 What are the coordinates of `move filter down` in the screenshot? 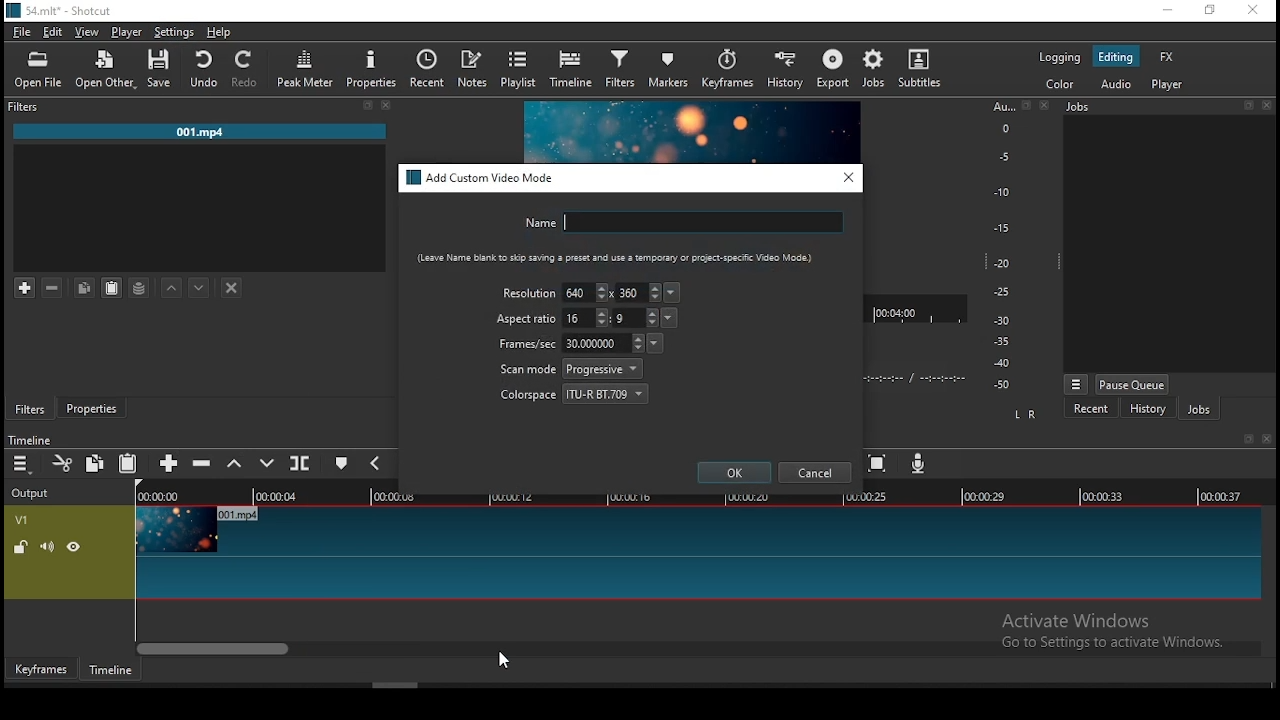 It's located at (199, 288).